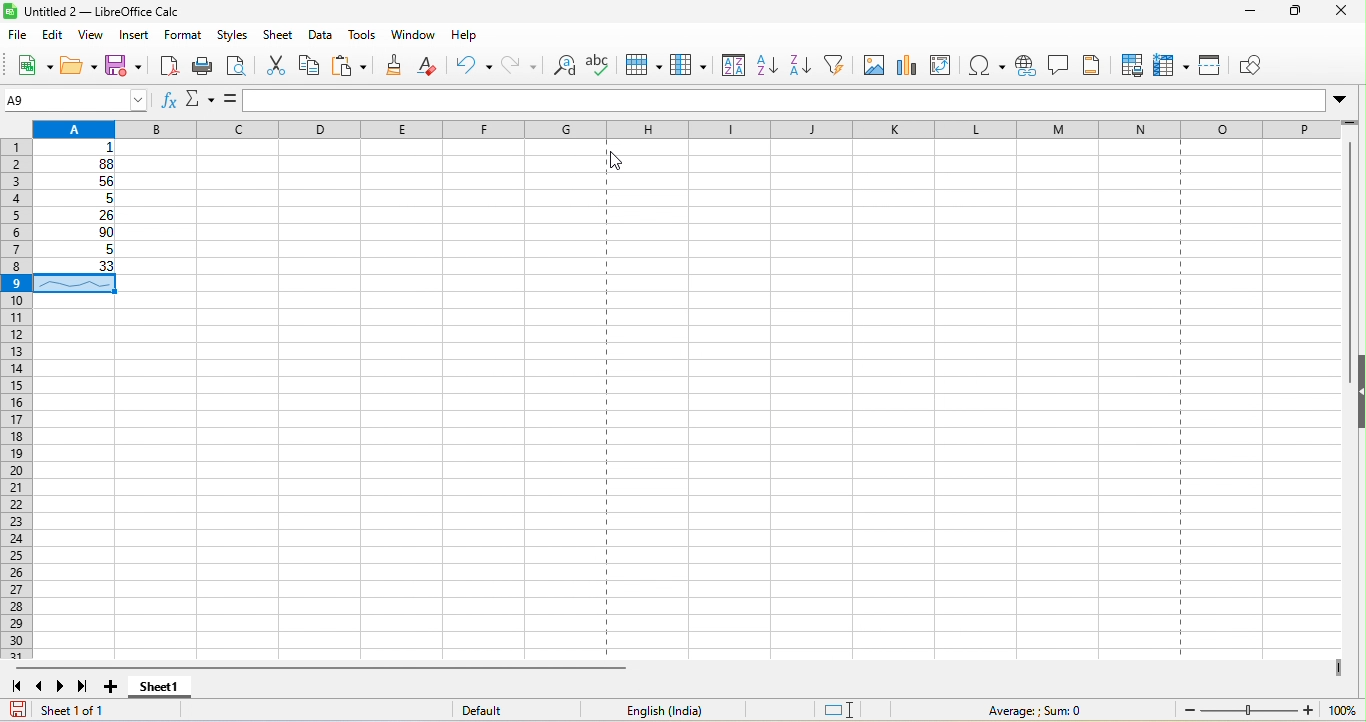 The image size is (1366, 722). I want to click on scroll to last sheet, so click(88, 689).